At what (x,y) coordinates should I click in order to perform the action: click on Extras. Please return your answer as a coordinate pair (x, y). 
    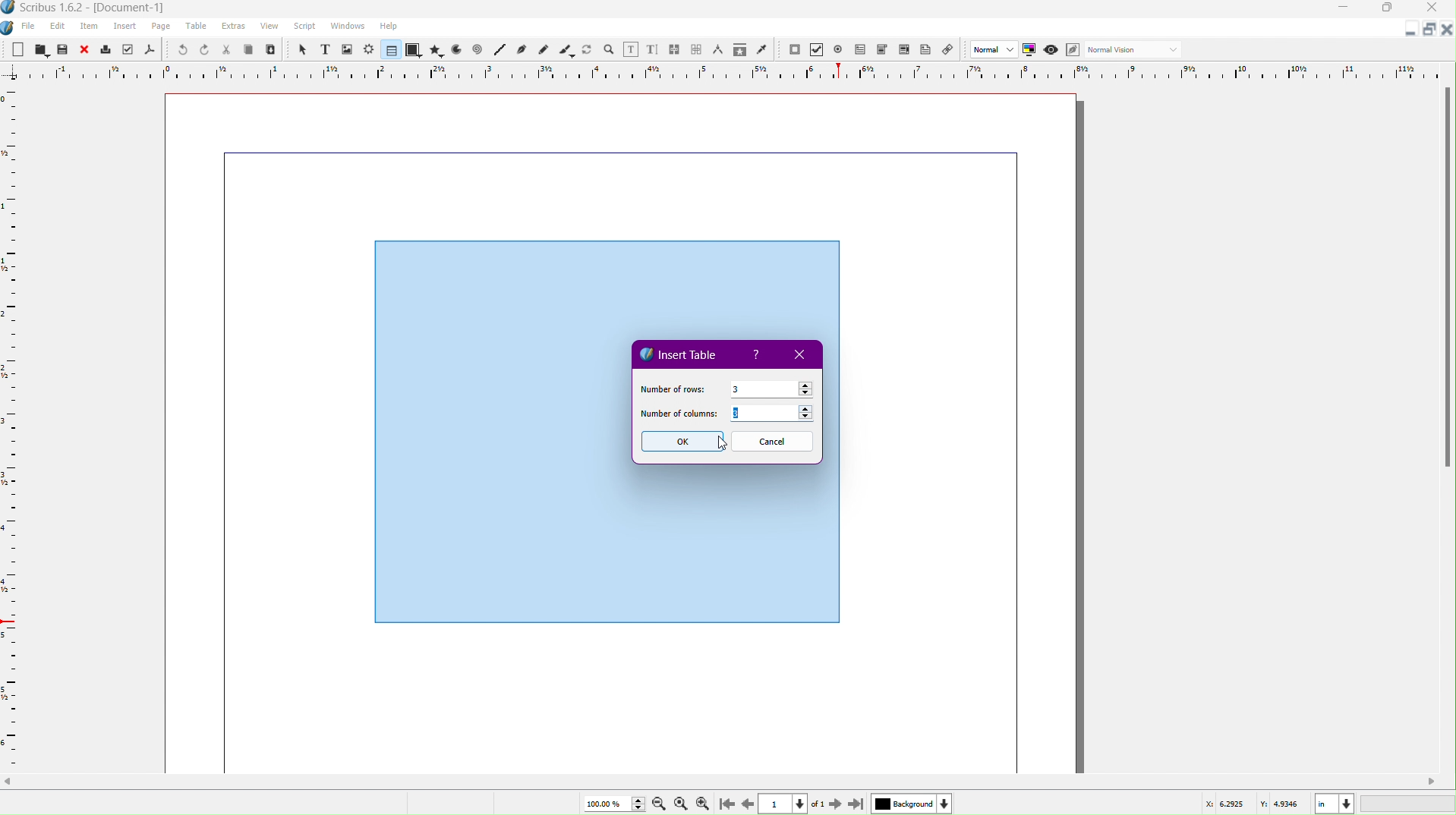
    Looking at the image, I should click on (235, 27).